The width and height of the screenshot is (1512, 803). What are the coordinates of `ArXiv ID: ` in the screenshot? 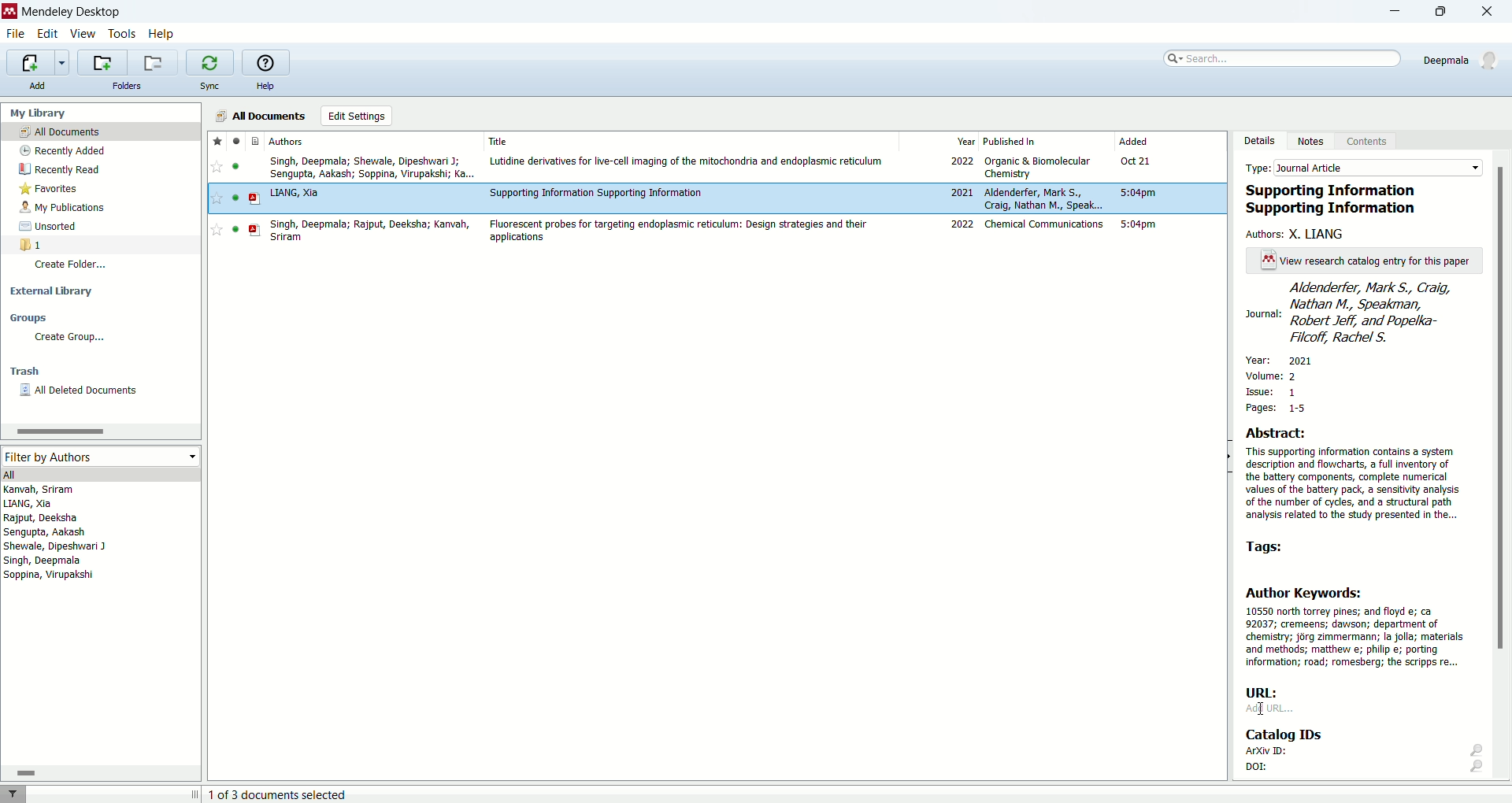 It's located at (1362, 753).